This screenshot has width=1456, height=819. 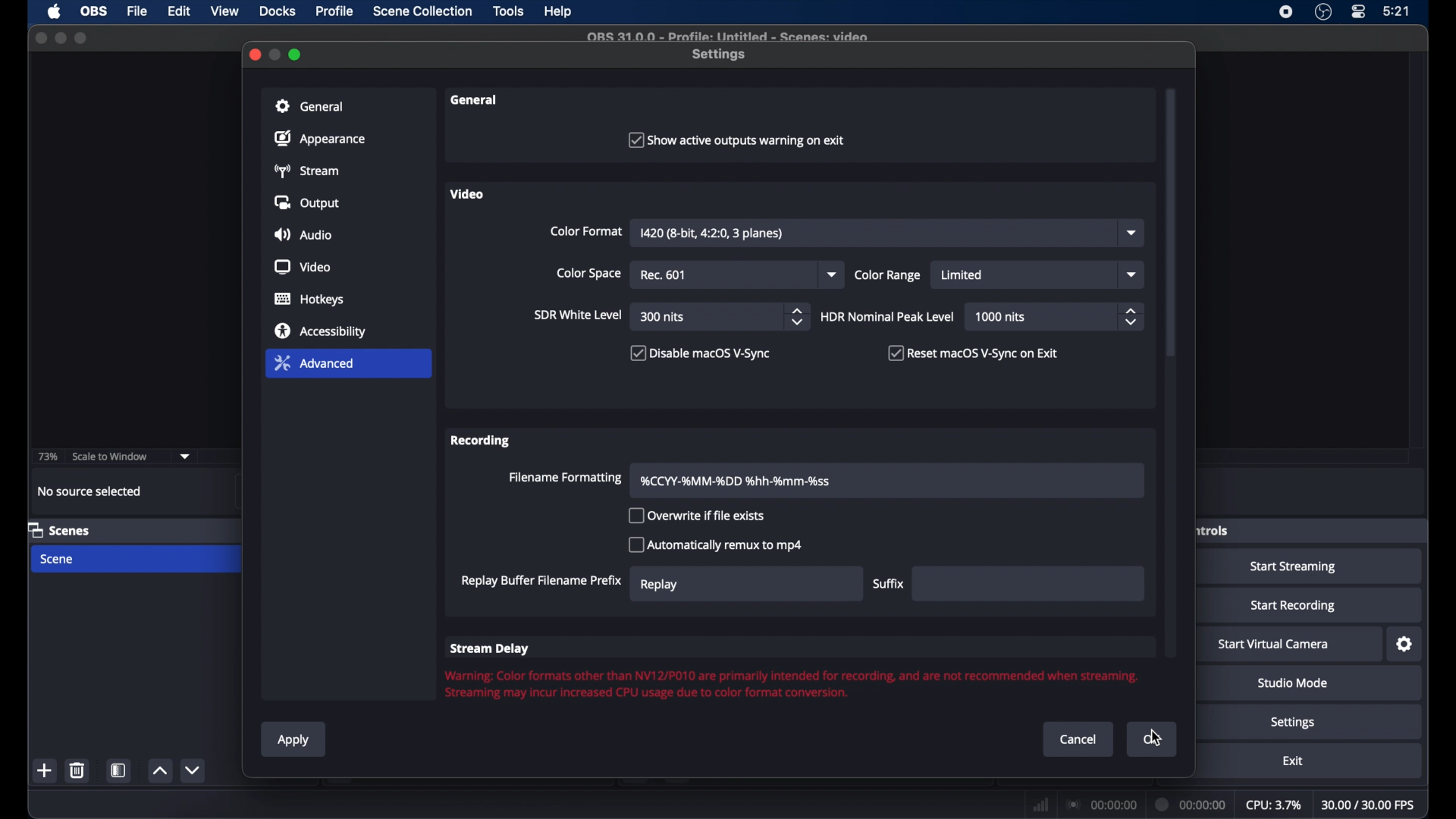 I want to click on maximize, so click(x=81, y=37).